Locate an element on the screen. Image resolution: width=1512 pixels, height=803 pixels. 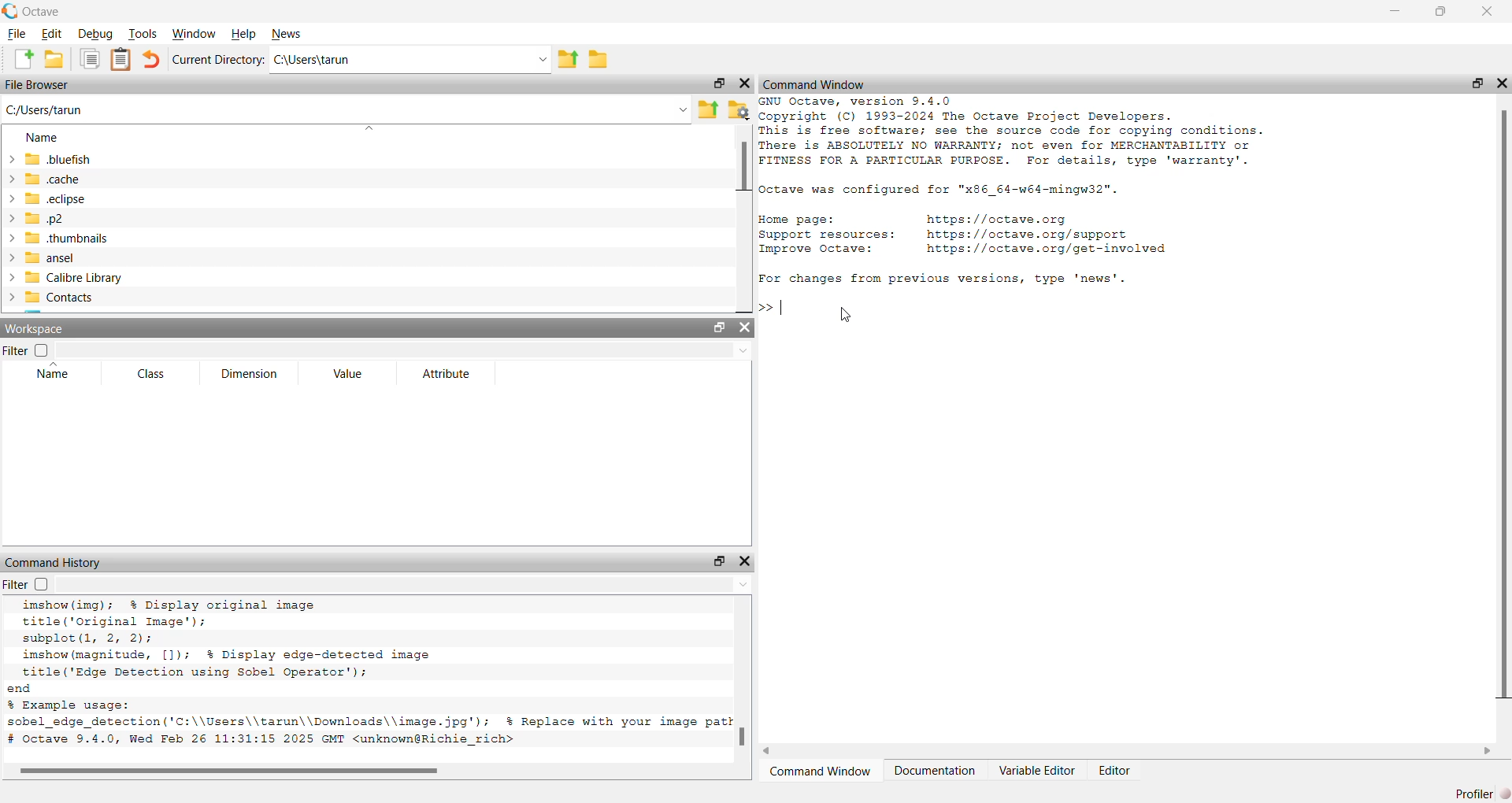
Class is located at coordinates (154, 375).